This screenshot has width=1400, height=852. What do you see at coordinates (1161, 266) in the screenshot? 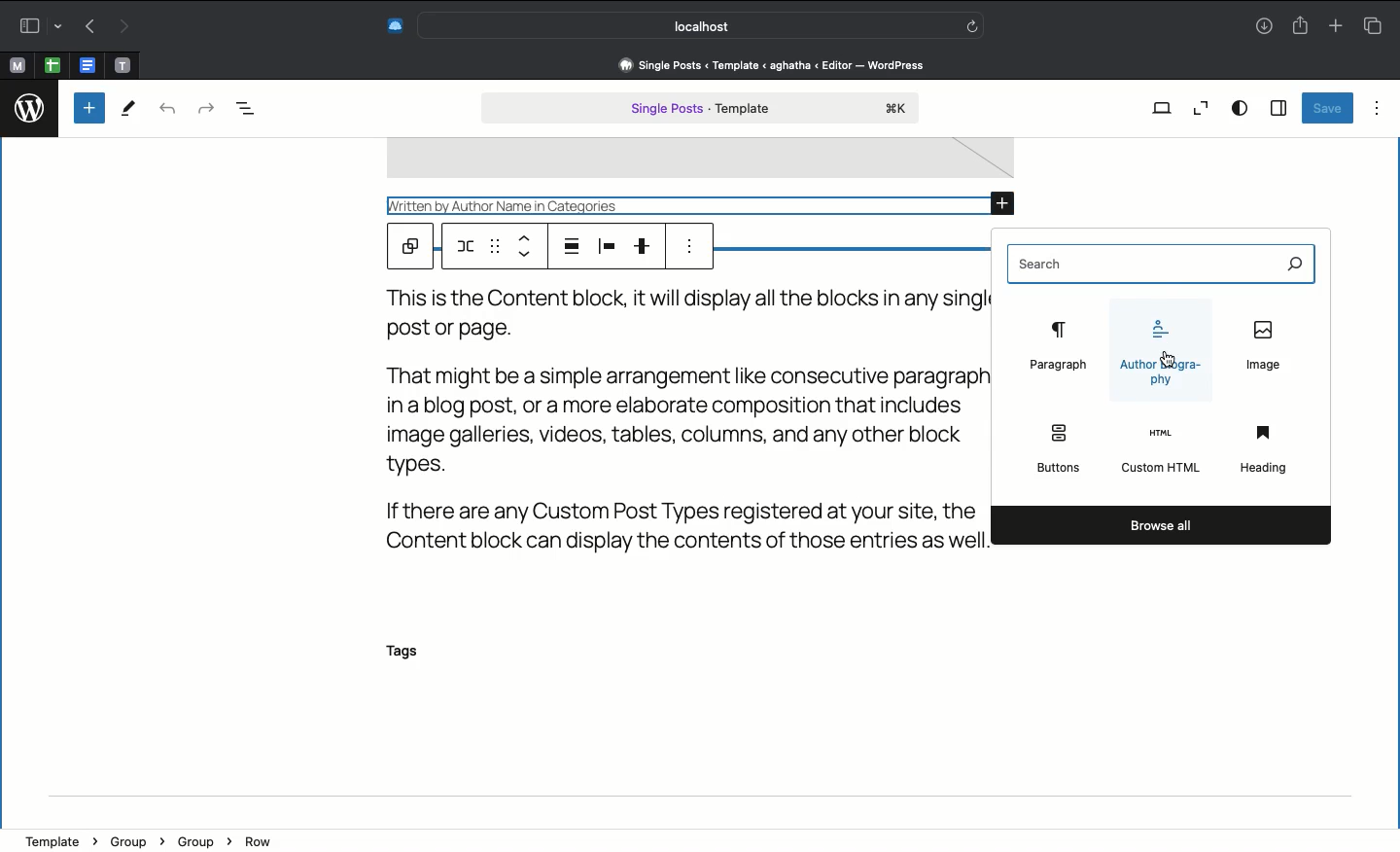
I see `Search` at bounding box center [1161, 266].